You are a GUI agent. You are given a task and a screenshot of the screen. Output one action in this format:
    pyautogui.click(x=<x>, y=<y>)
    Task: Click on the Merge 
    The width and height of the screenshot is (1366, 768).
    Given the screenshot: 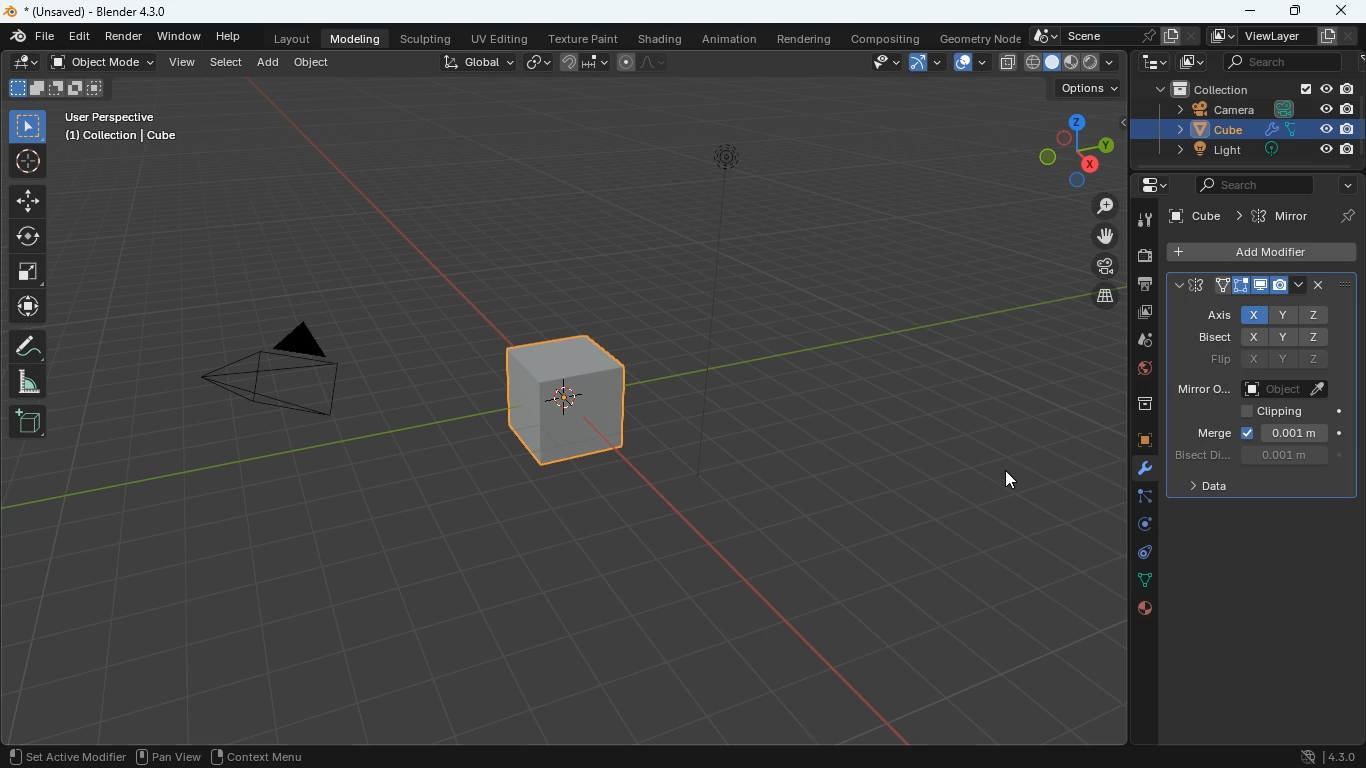 What is the action you would take?
    pyautogui.click(x=1213, y=431)
    